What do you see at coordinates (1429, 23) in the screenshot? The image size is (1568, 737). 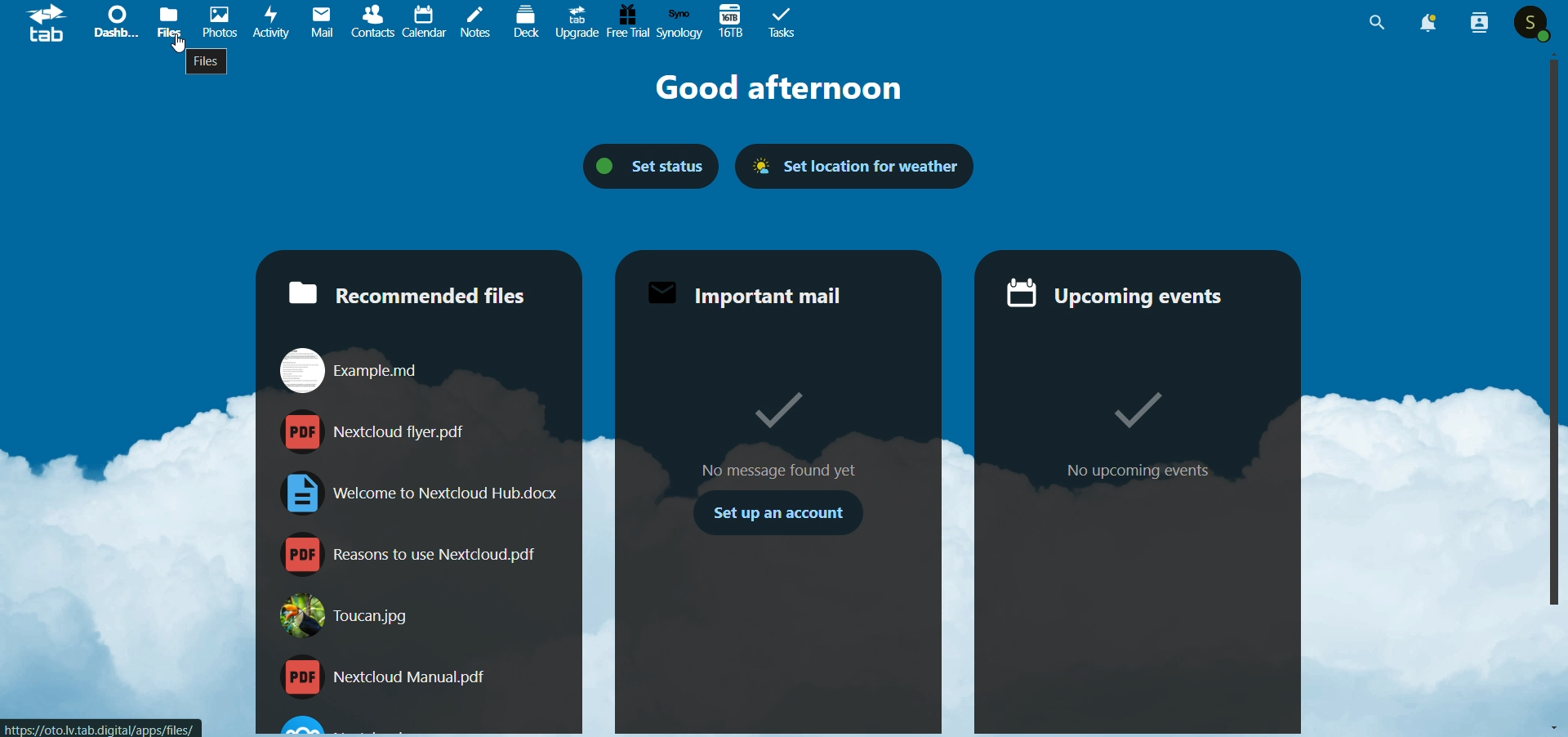 I see `notification` at bounding box center [1429, 23].